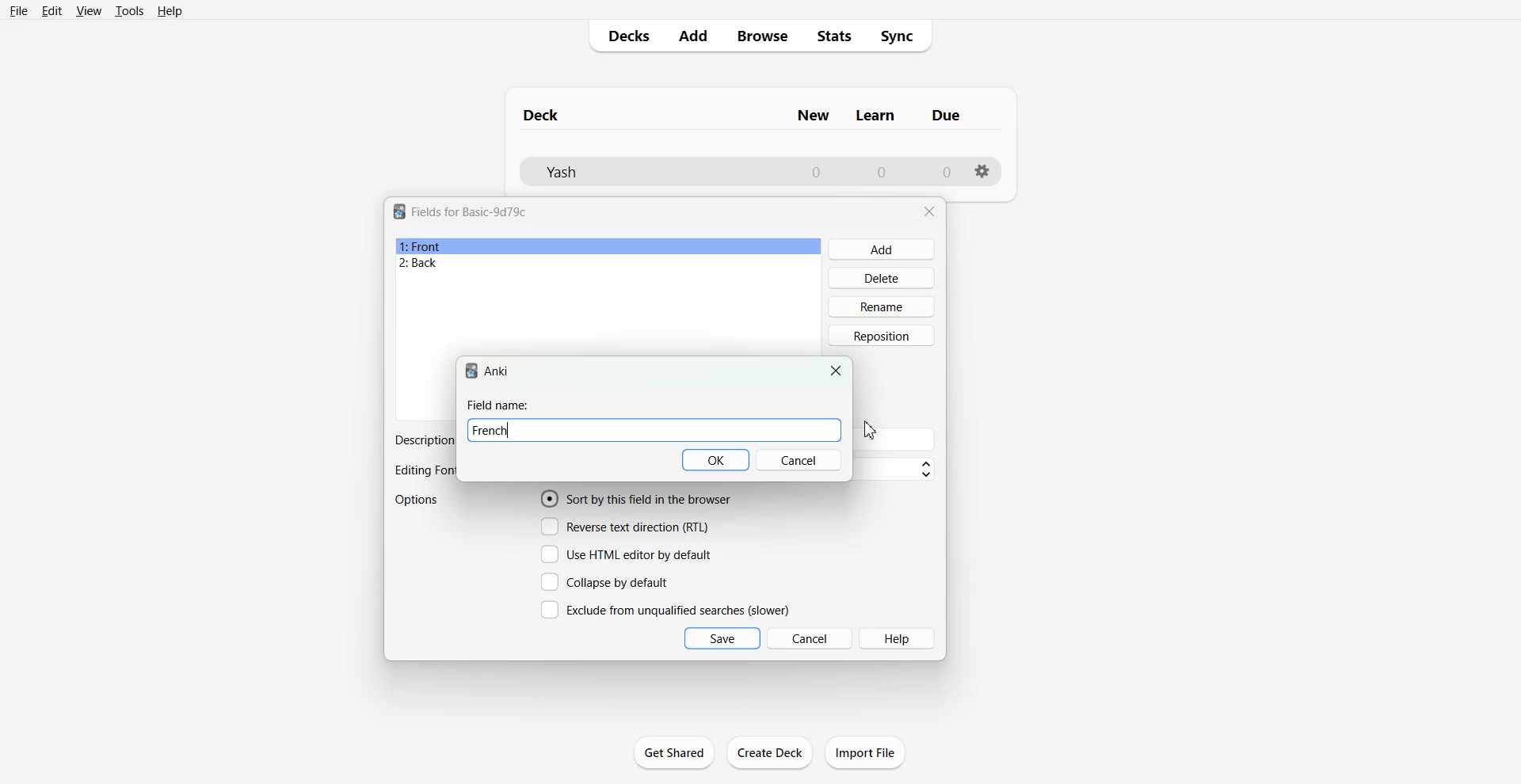  Describe the element at coordinates (771, 752) in the screenshot. I see `Create Deck` at that location.